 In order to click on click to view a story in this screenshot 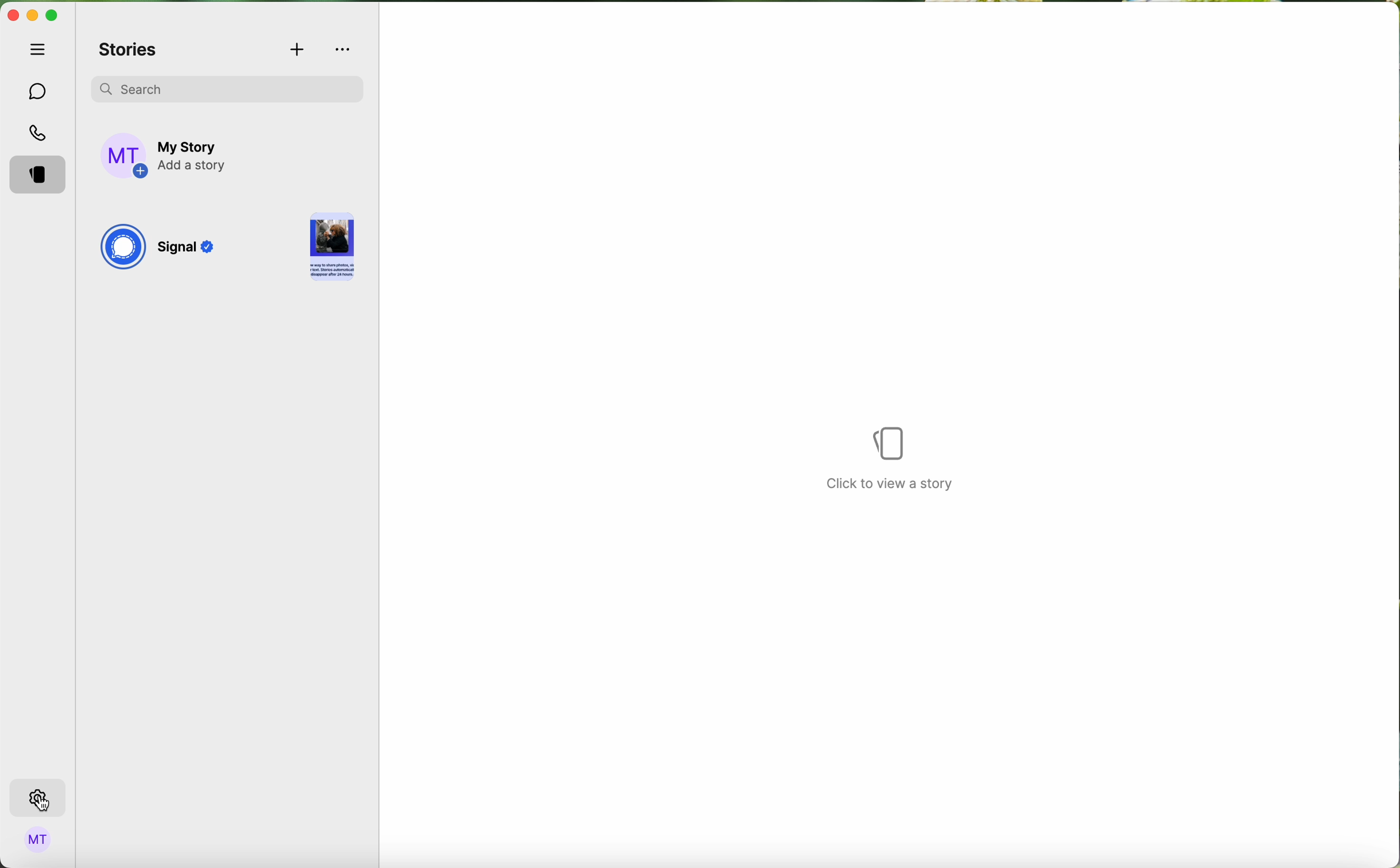, I will do `click(893, 487)`.